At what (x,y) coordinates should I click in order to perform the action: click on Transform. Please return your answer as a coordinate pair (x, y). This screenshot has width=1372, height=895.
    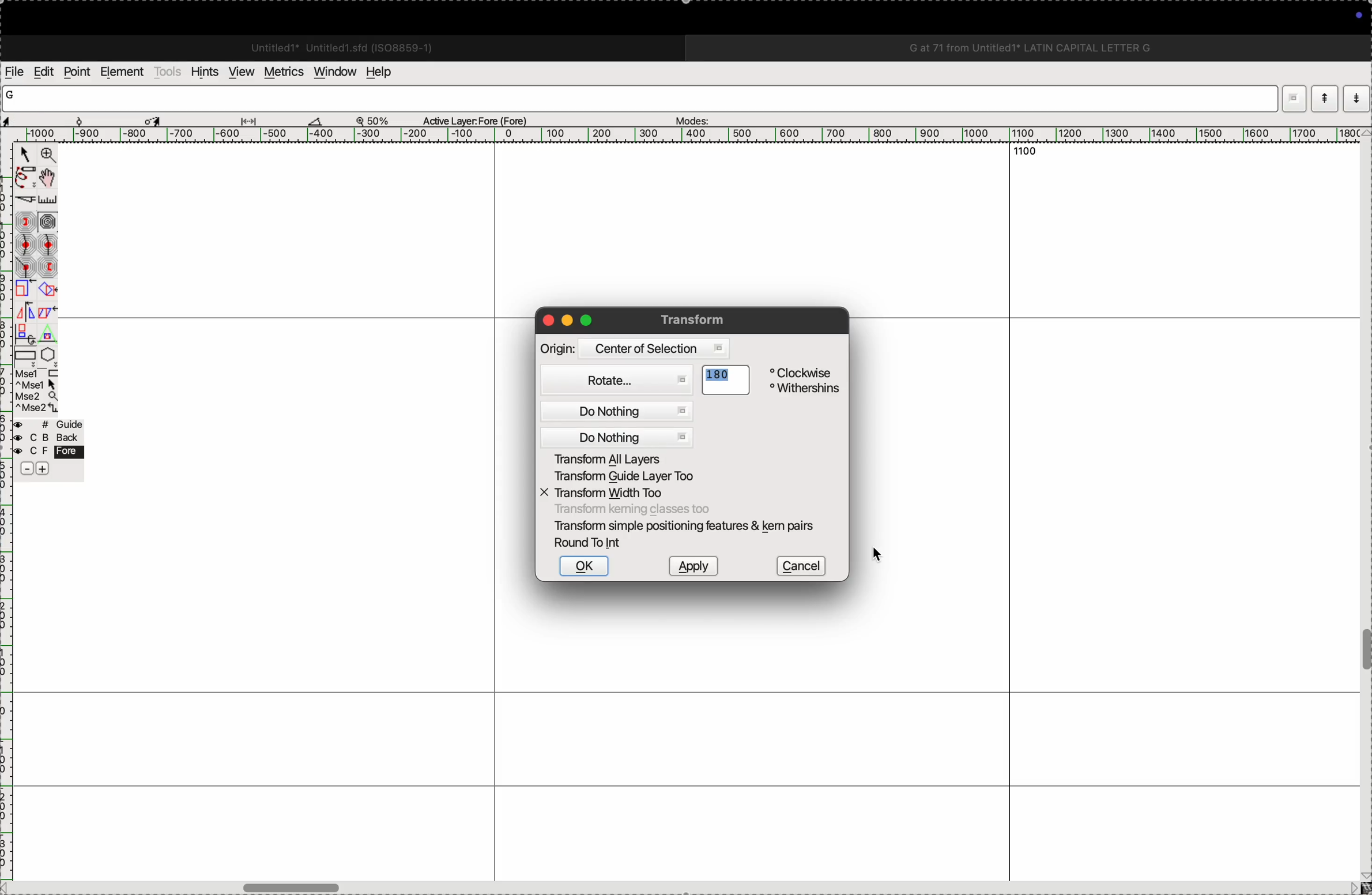
    Looking at the image, I should click on (694, 320).